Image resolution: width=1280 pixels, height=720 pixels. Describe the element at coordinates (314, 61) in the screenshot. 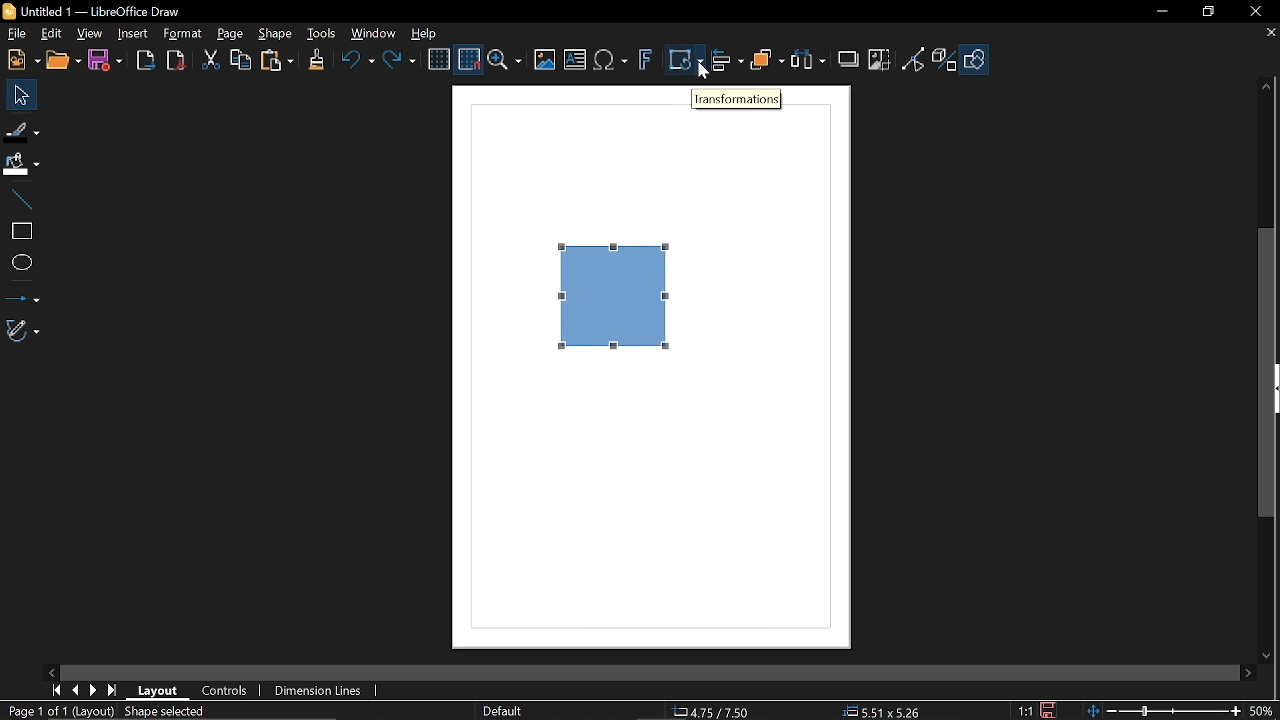

I see `Clone` at that location.